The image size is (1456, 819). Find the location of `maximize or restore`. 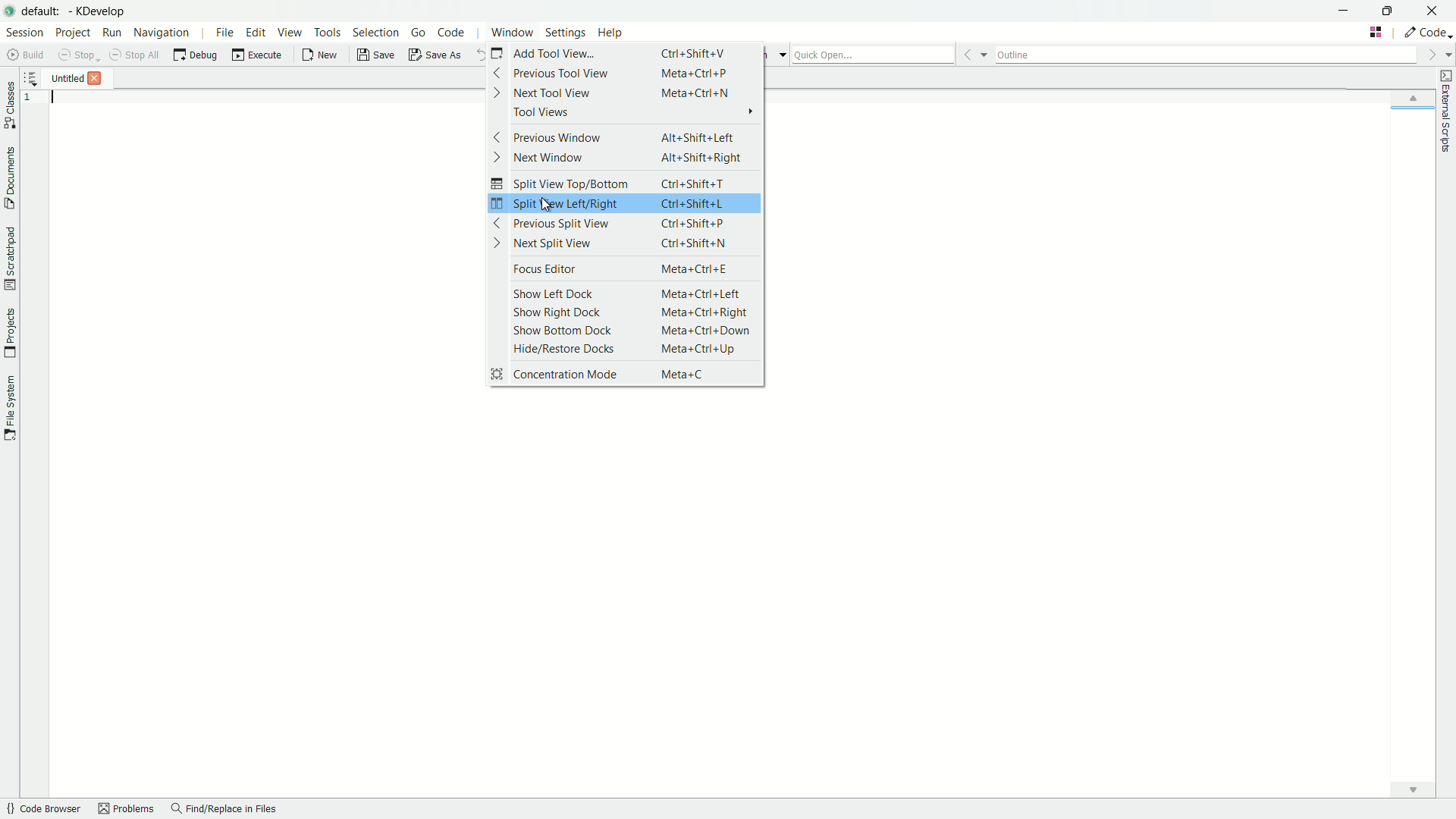

maximize or restore is located at coordinates (1390, 11).